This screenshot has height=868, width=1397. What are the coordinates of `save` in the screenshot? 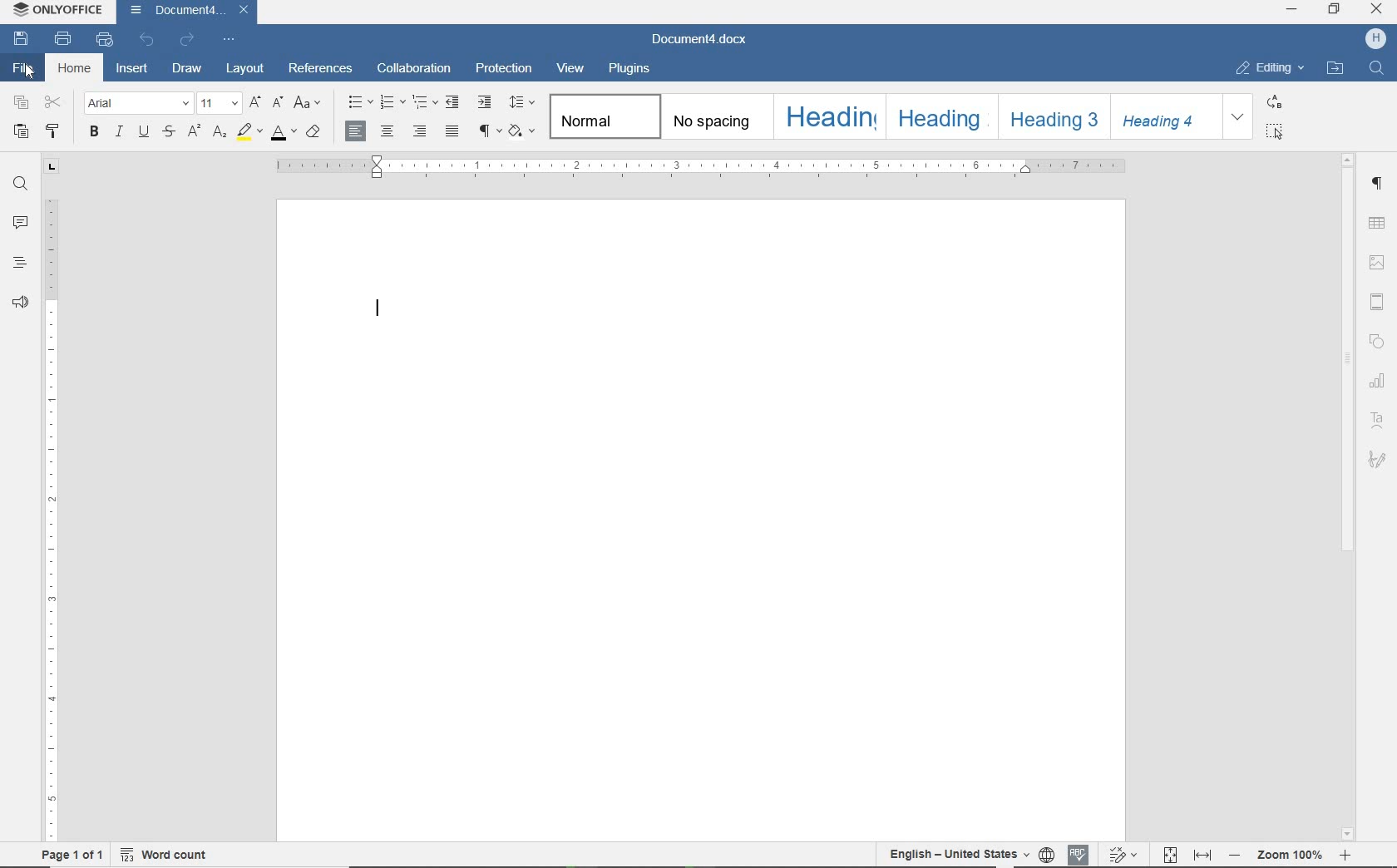 It's located at (22, 39).